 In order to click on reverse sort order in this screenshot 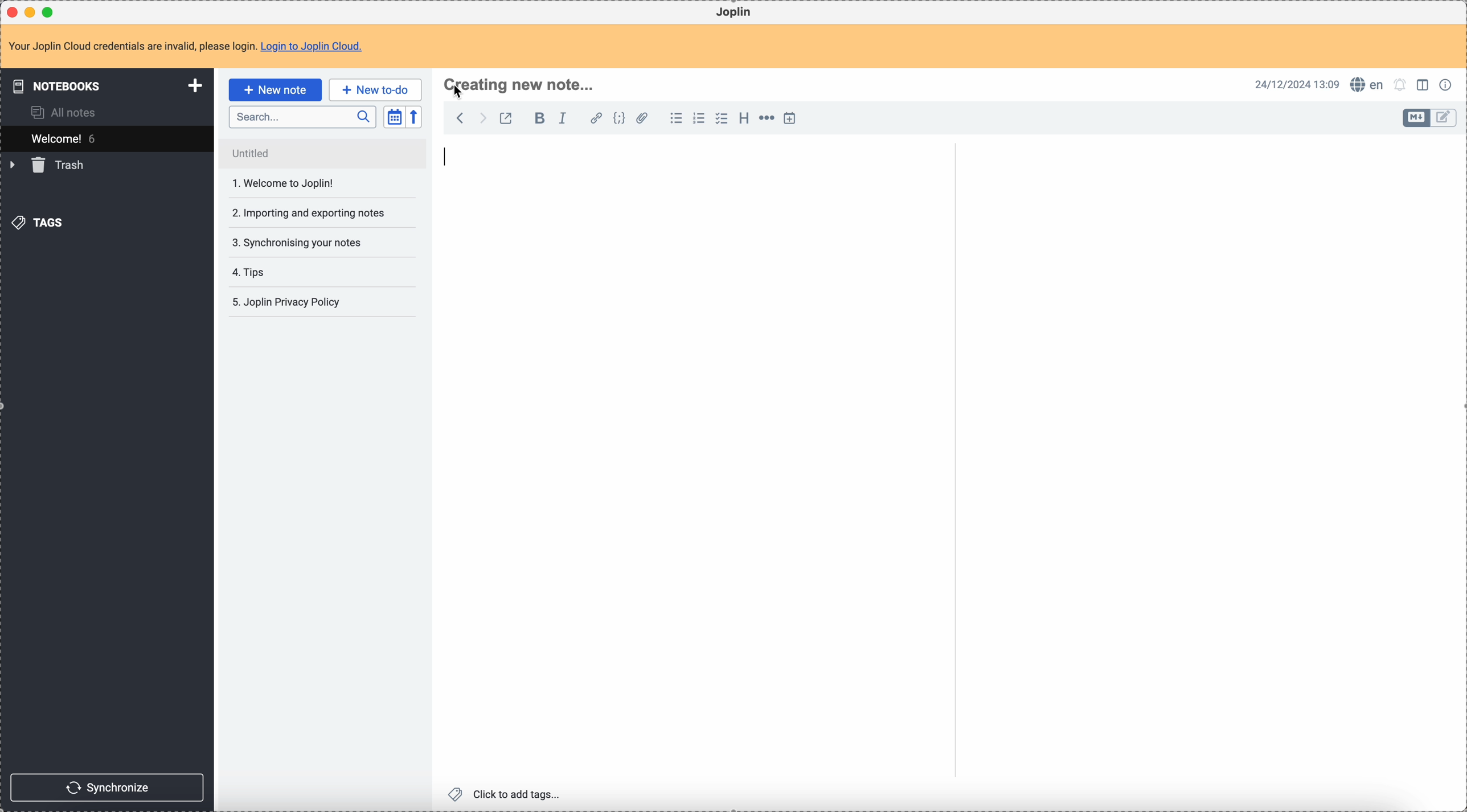, I will do `click(416, 117)`.